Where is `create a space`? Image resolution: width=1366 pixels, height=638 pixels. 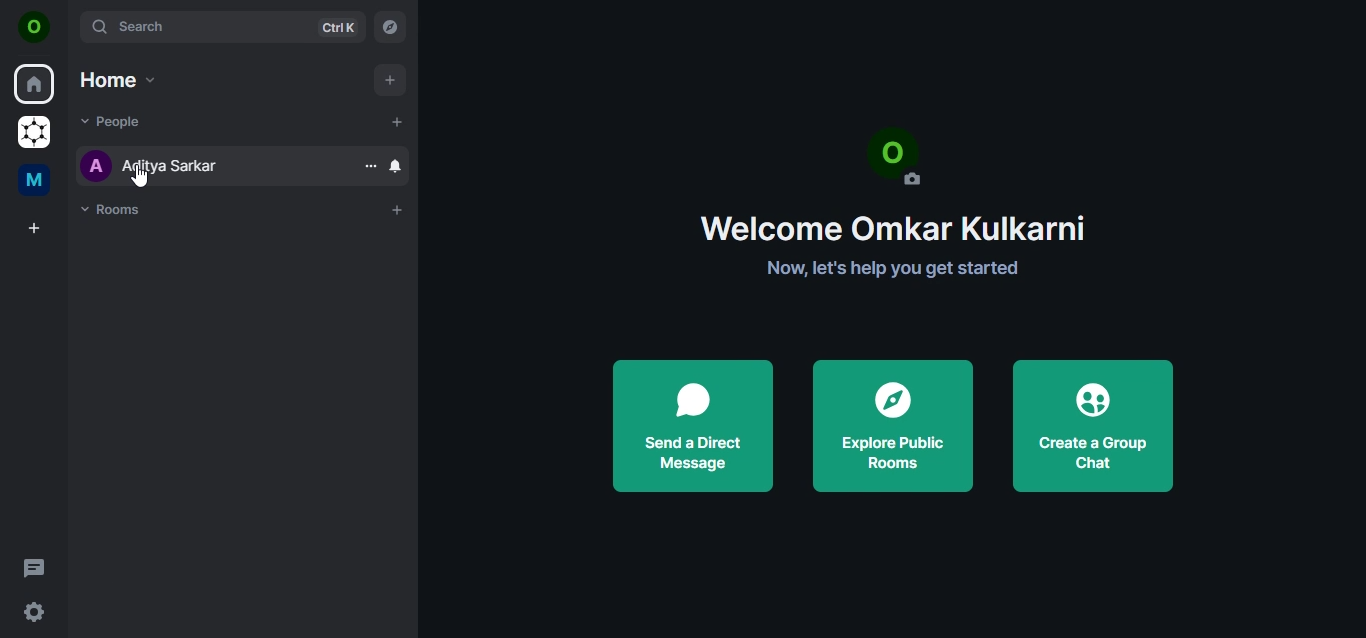 create a space is located at coordinates (37, 229).